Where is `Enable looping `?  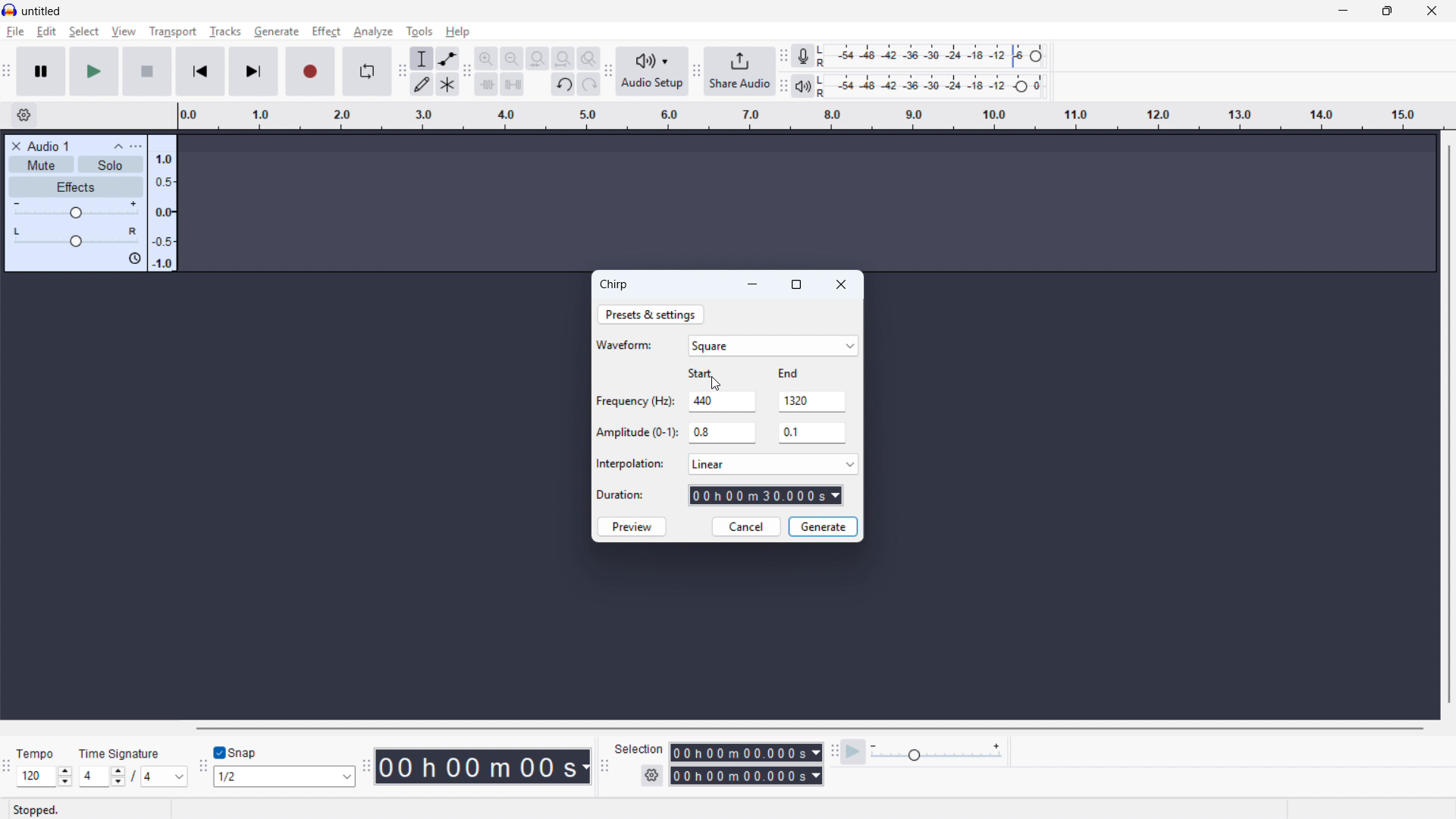
Enable looping  is located at coordinates (366, 71).